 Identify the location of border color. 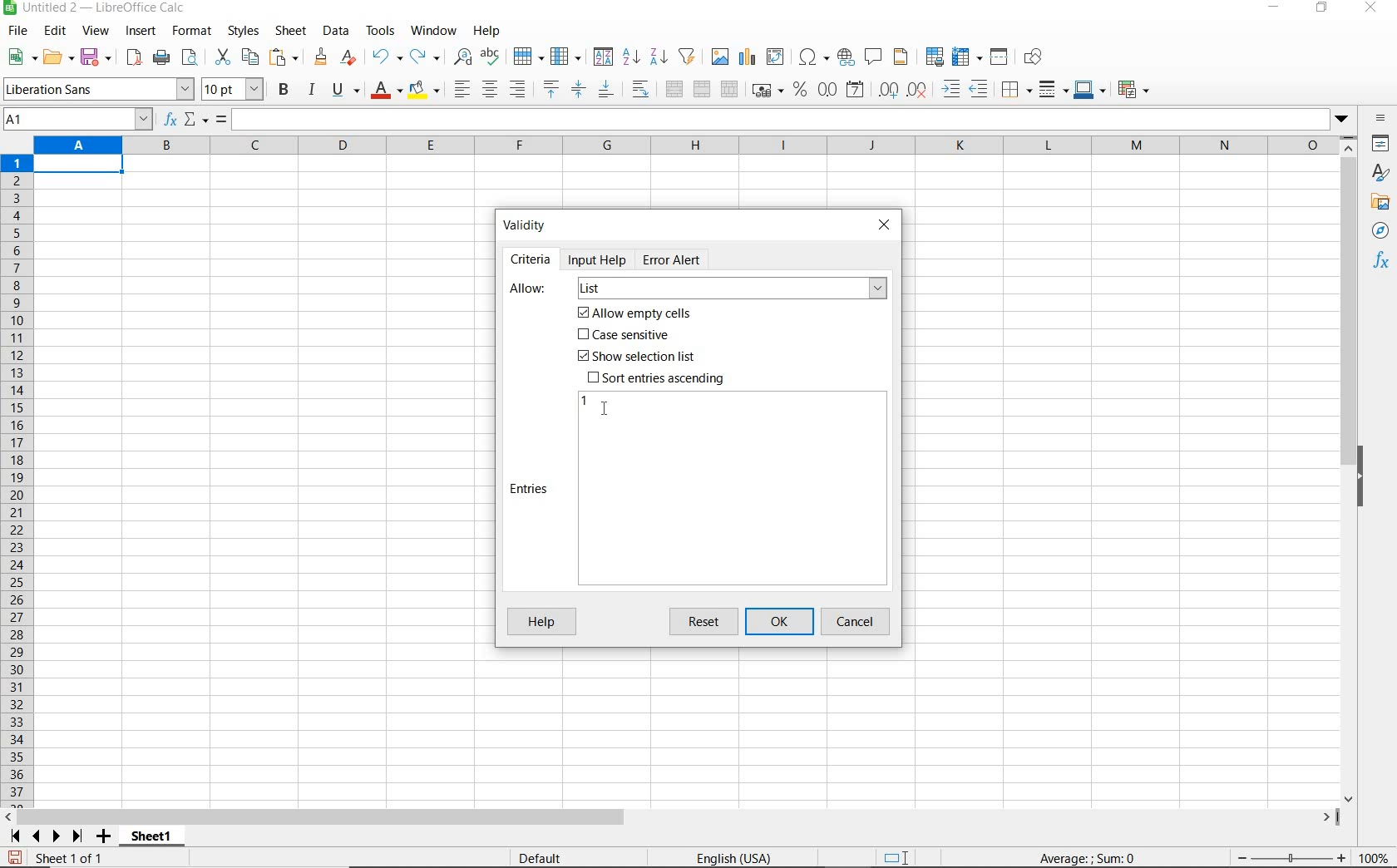
(1089, 89).